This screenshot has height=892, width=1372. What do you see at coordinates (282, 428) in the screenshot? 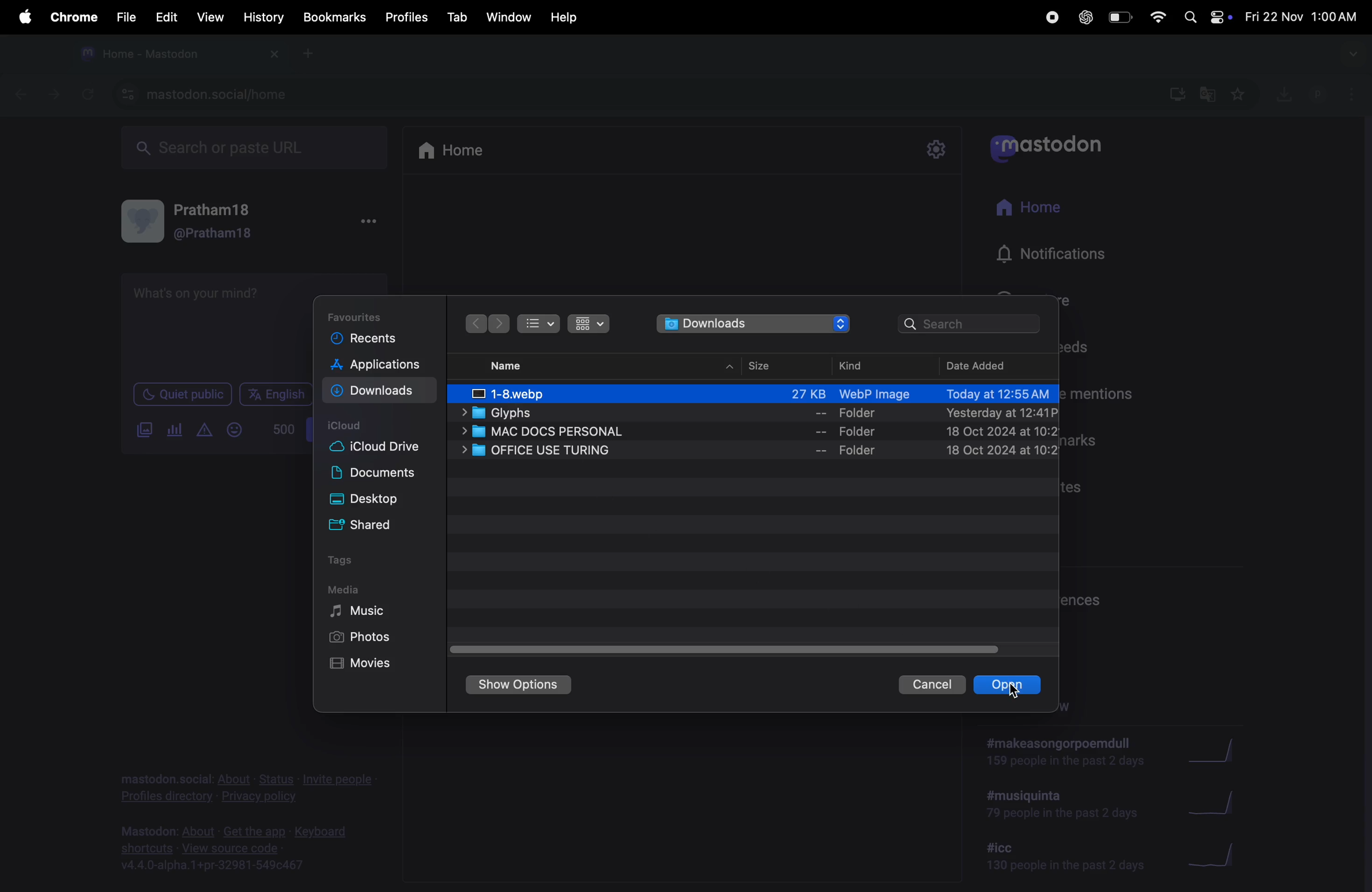
I see `500 word limit` at bounding box center [282, 428].